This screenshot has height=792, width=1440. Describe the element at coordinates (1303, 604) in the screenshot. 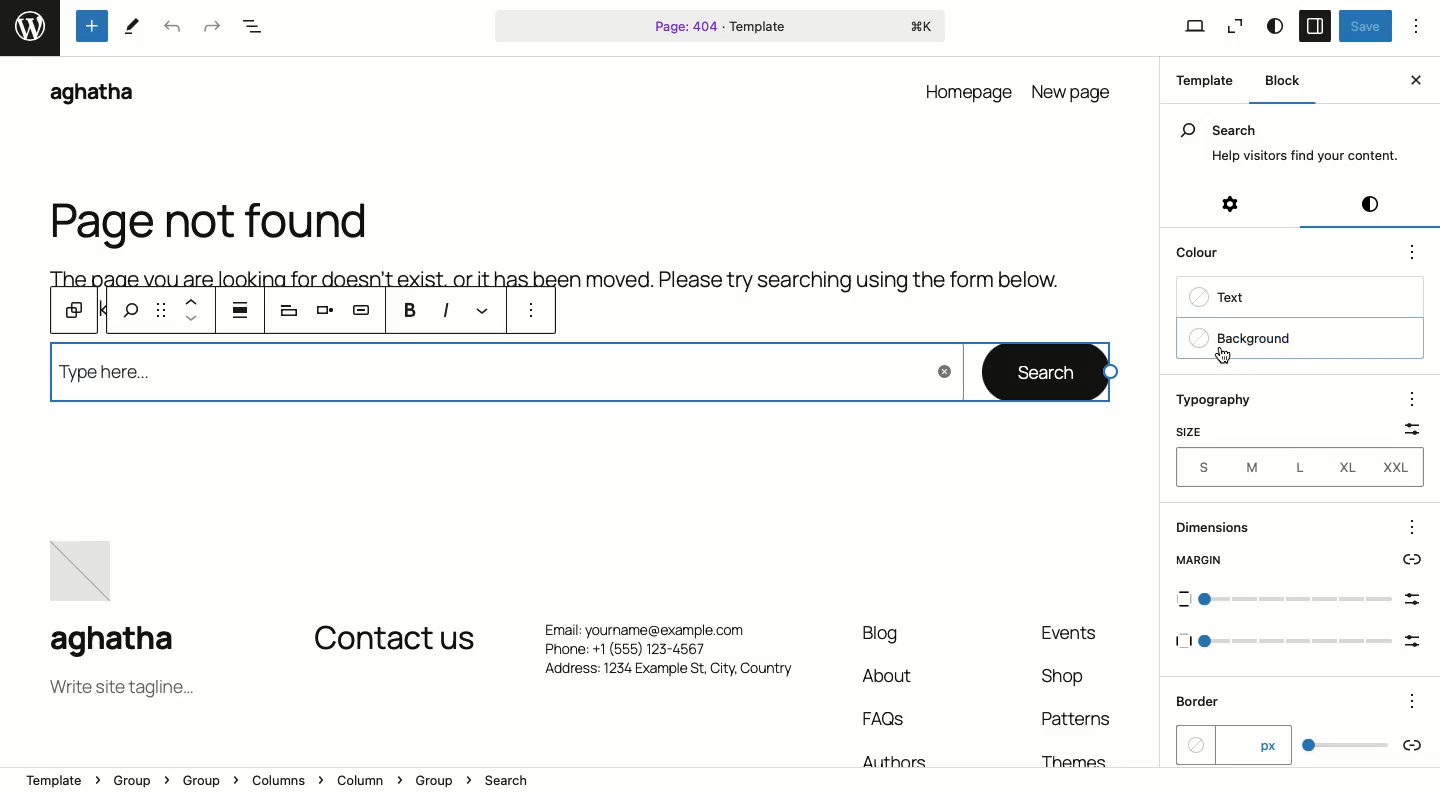

I see `` at that location.